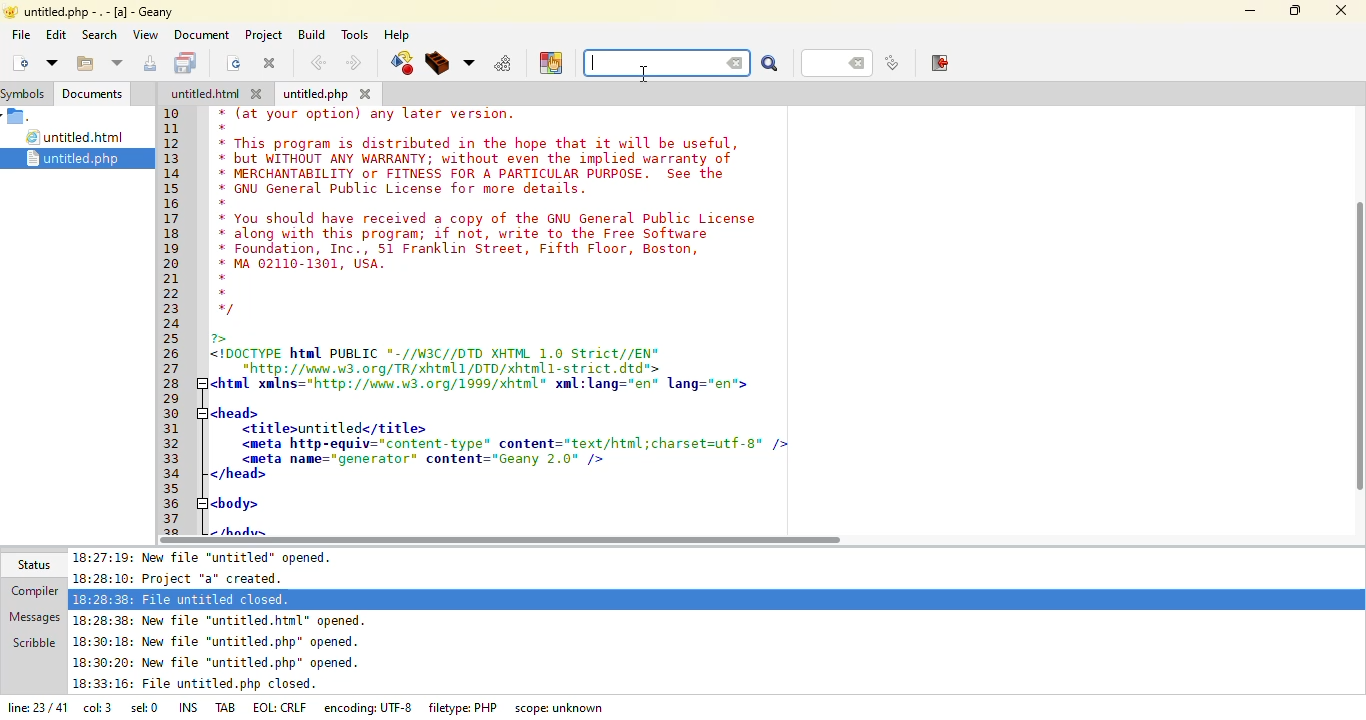 Image resolution: width=1366 pixels, height=720 pixels. Describe the element at coordinates (1342, 8) in the screenshot. I see `close` at that location.